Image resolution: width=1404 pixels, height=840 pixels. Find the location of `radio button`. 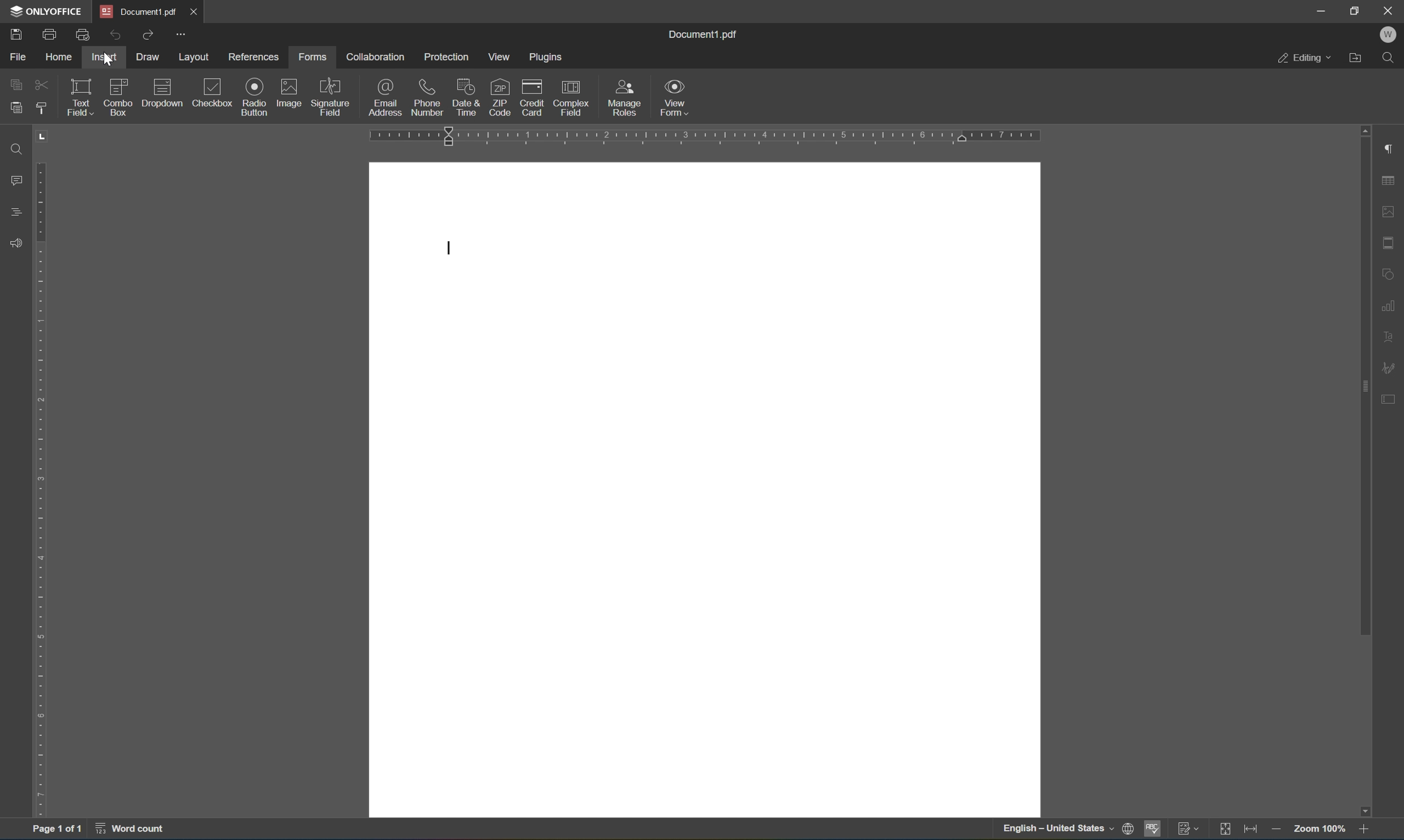

radio button is located at coordinates (254, 96).